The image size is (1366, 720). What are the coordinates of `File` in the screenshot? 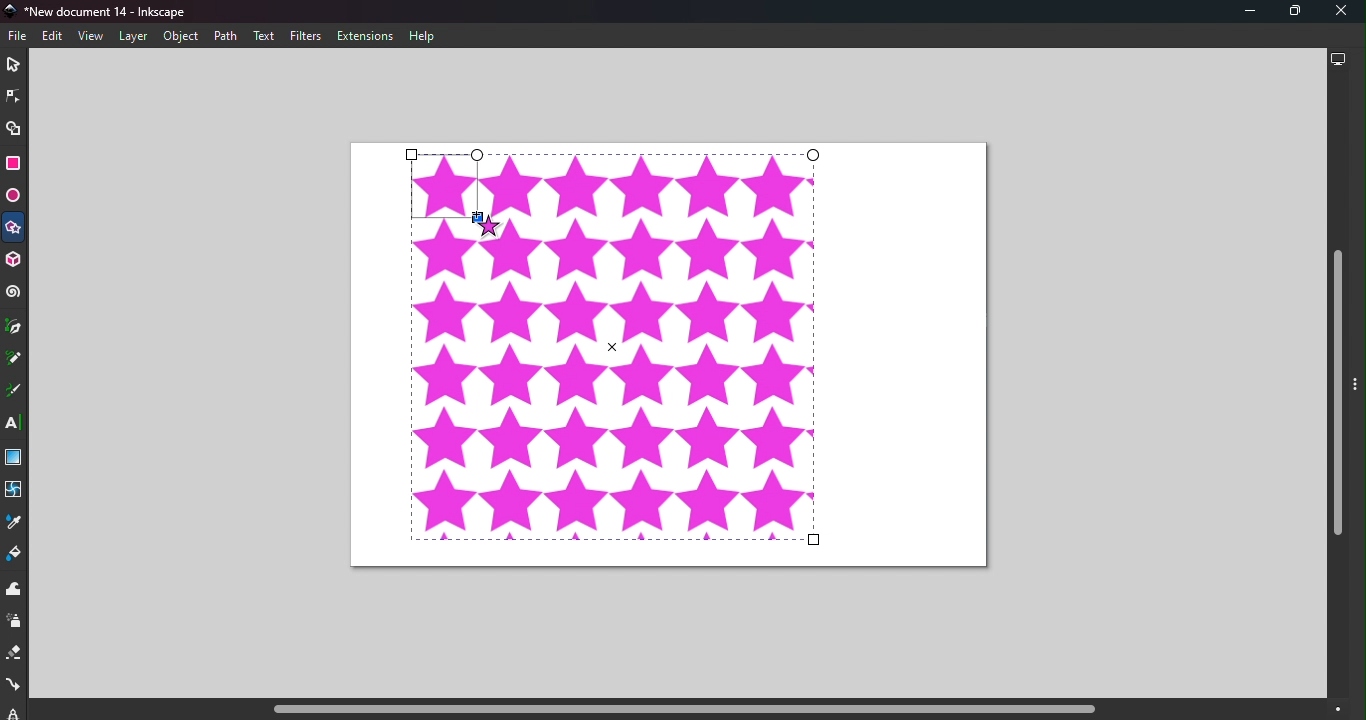 It's located at (21, 36).